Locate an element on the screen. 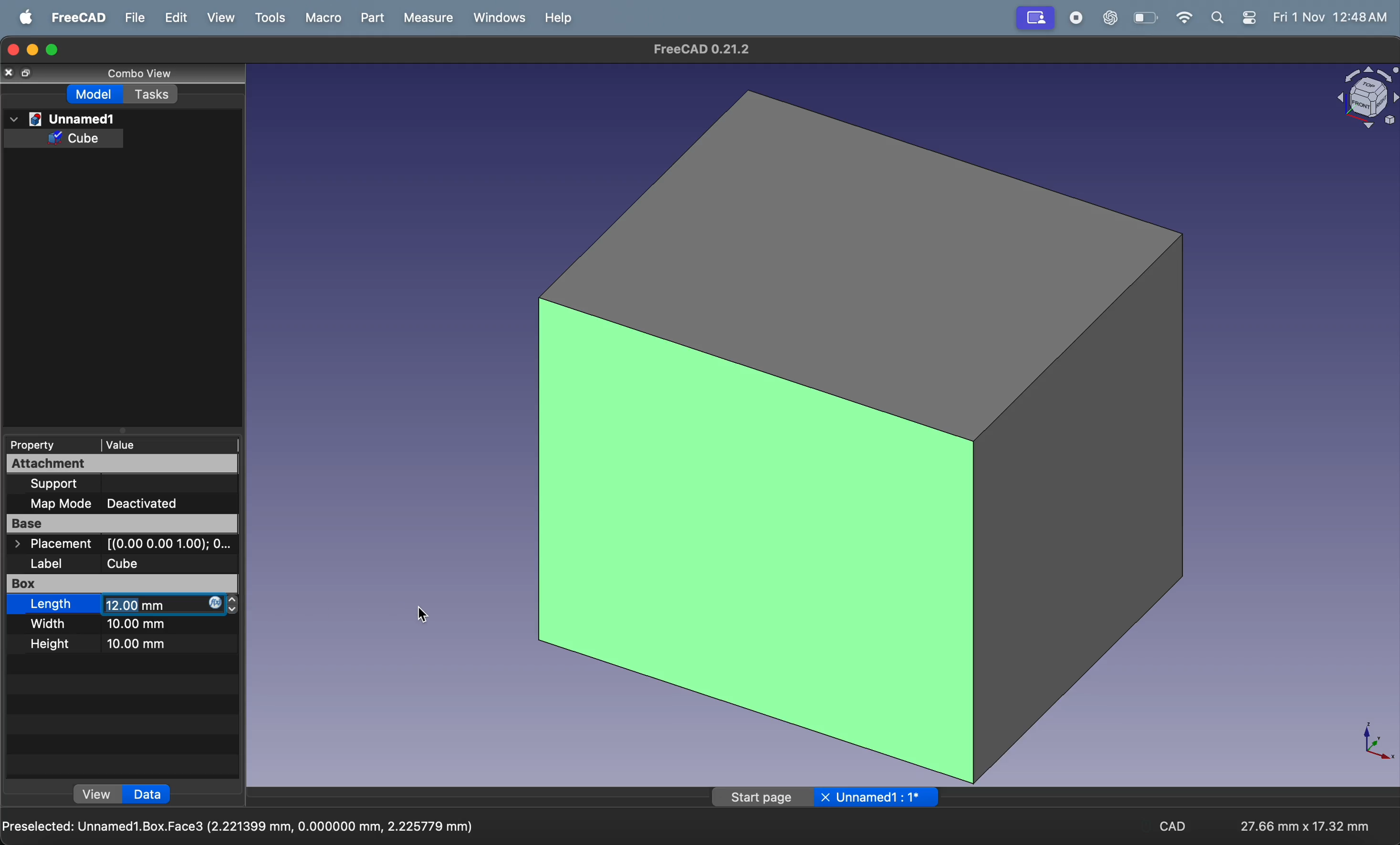 The image size is (1400, 845). Value is located at coordinates (124, 444).